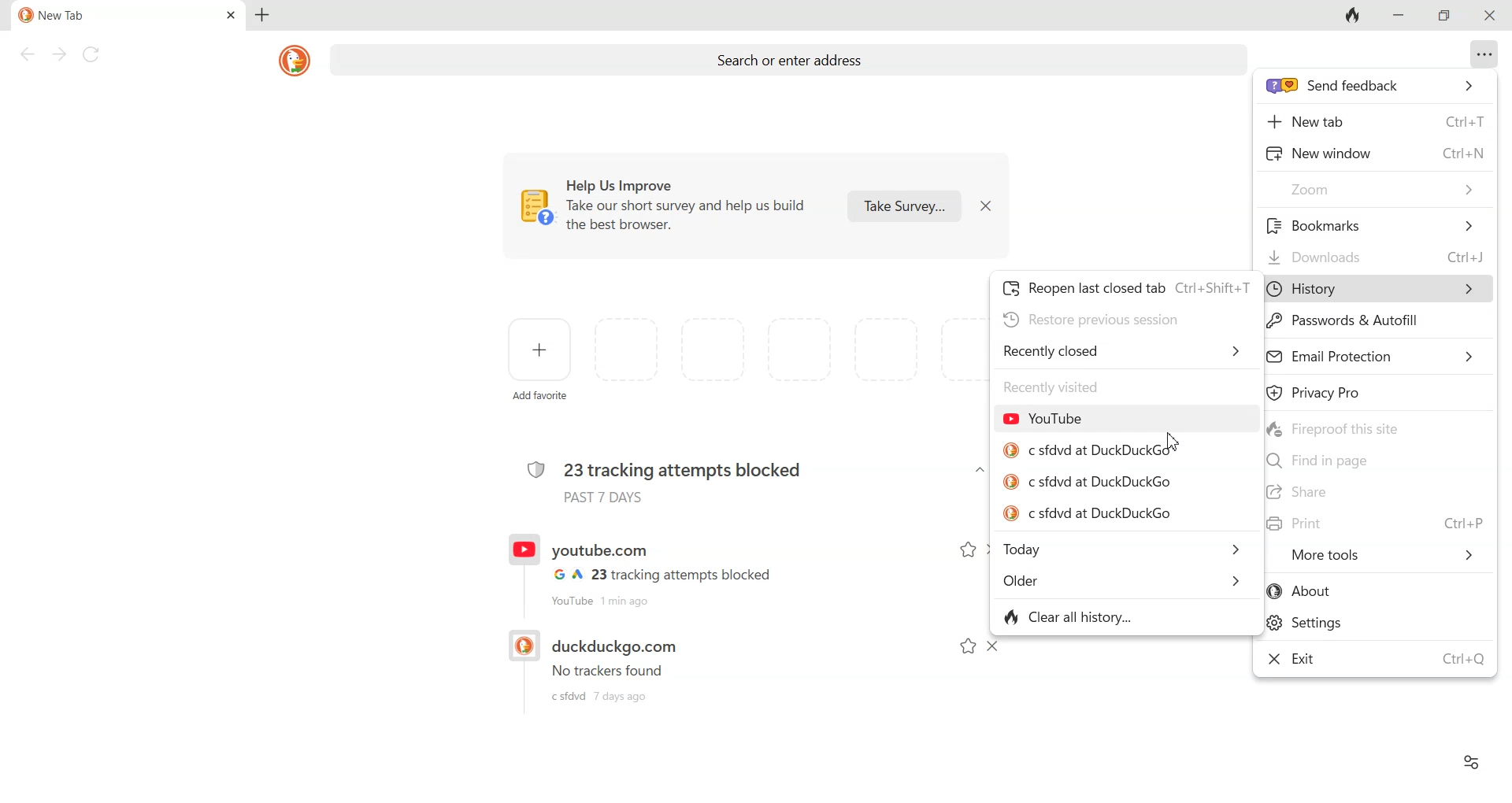 This screenshot has height=803, width=1512. I want to click on Reopen last closed tab, so click(1127, 290).